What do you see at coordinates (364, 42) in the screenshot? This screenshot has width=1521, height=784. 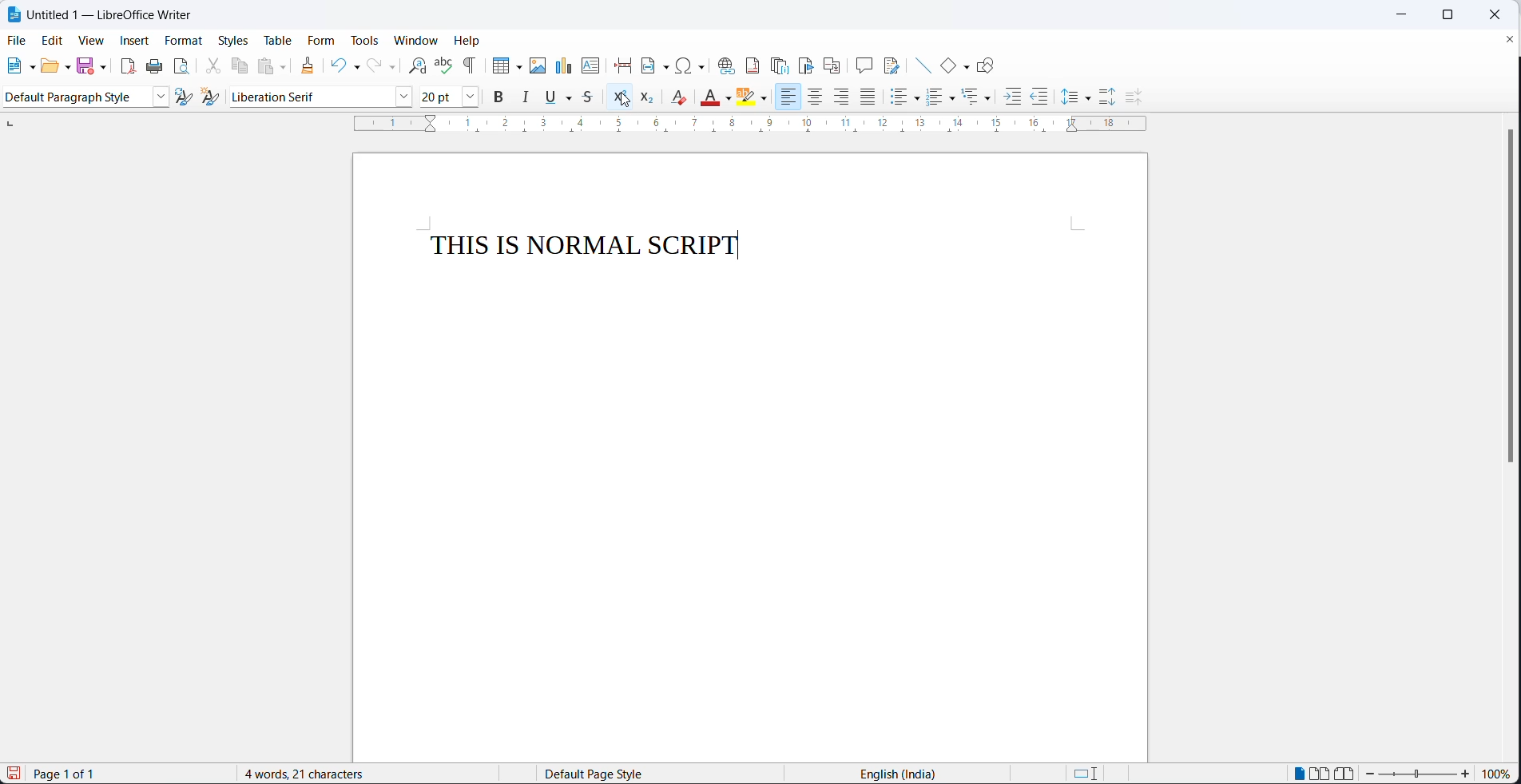 I see `tools` at bounding box center [364, 42].